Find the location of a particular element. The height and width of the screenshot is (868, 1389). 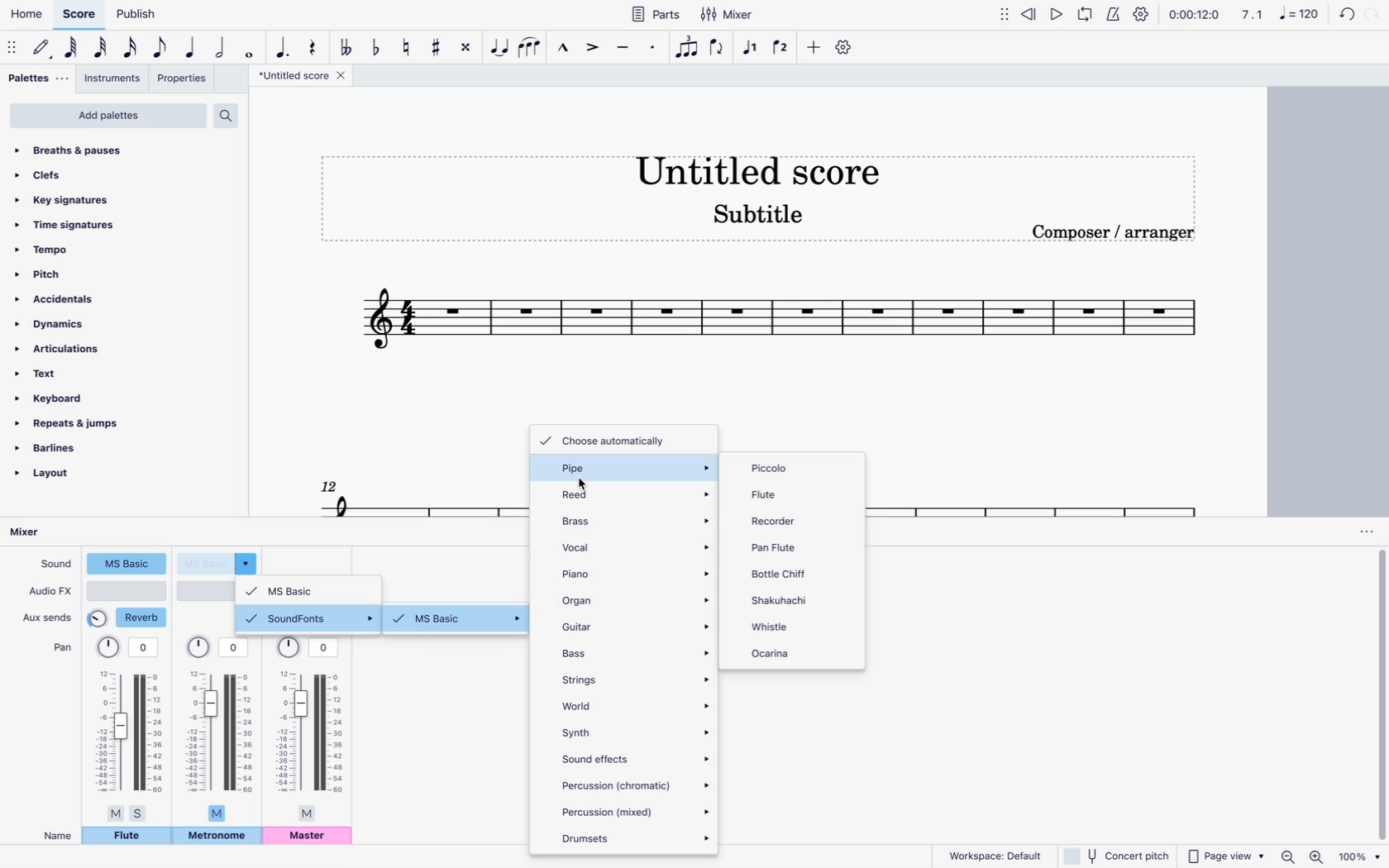

sound is located at coordinates (55, 565).